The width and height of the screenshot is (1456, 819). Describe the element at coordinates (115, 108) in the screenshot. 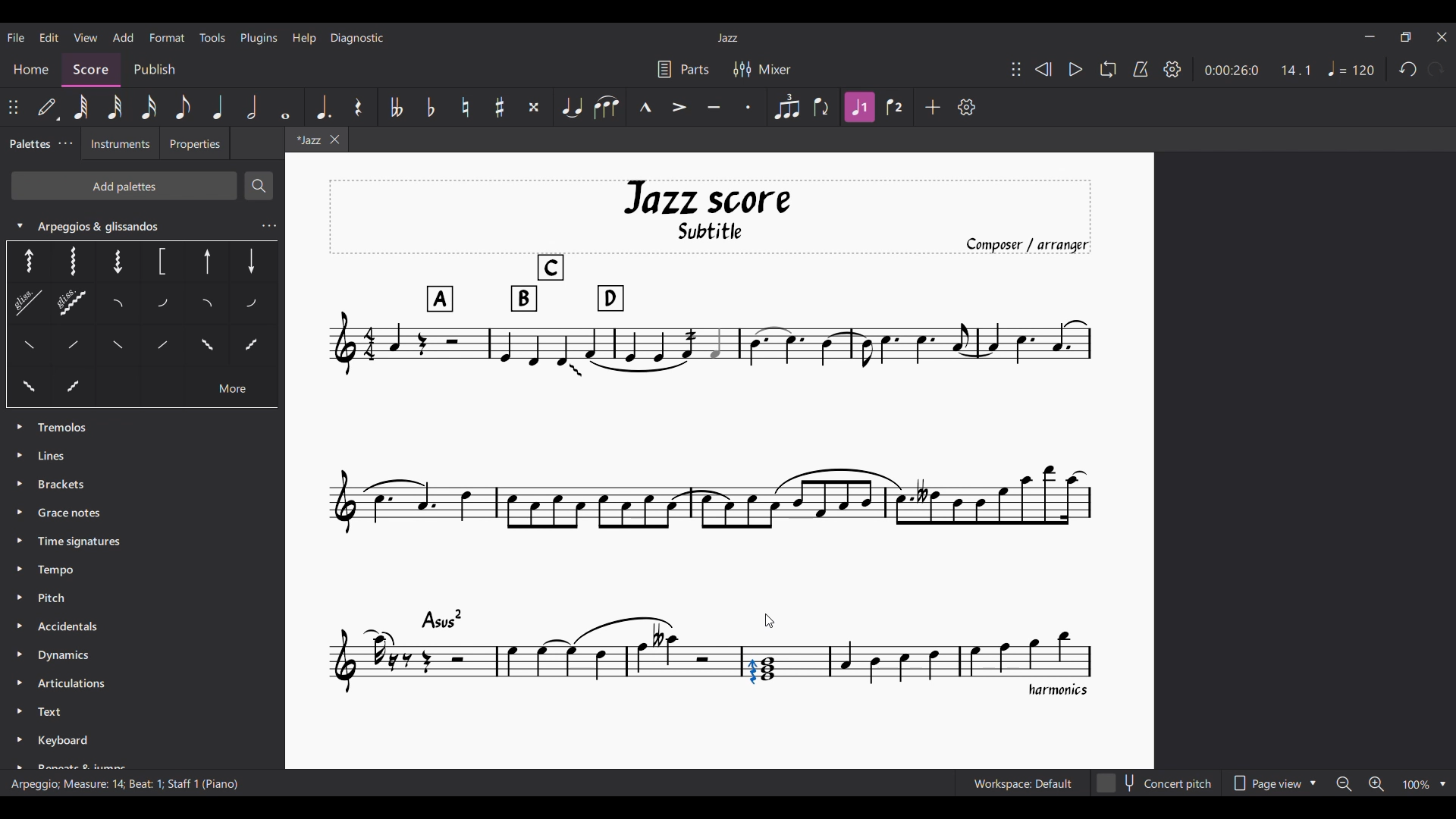

I see `32nd note` at that location.